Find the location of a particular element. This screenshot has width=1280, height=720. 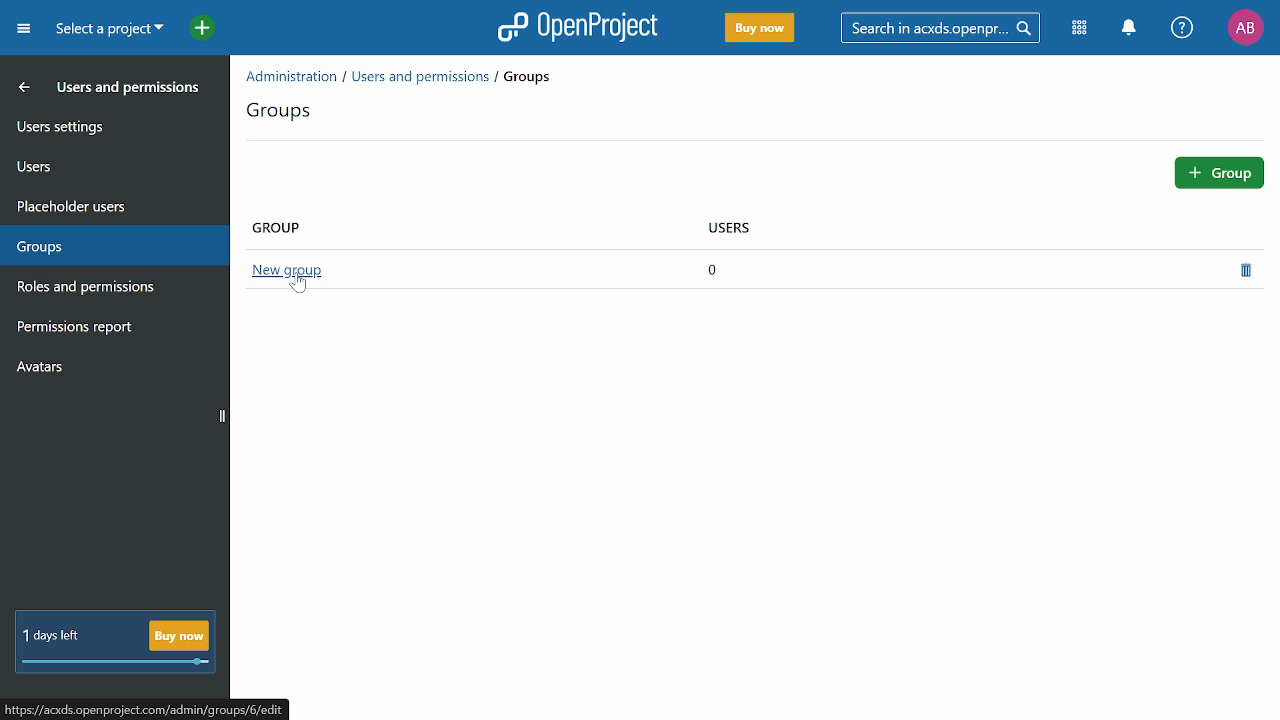

Expand project menu is located at coordinates (23, 28).